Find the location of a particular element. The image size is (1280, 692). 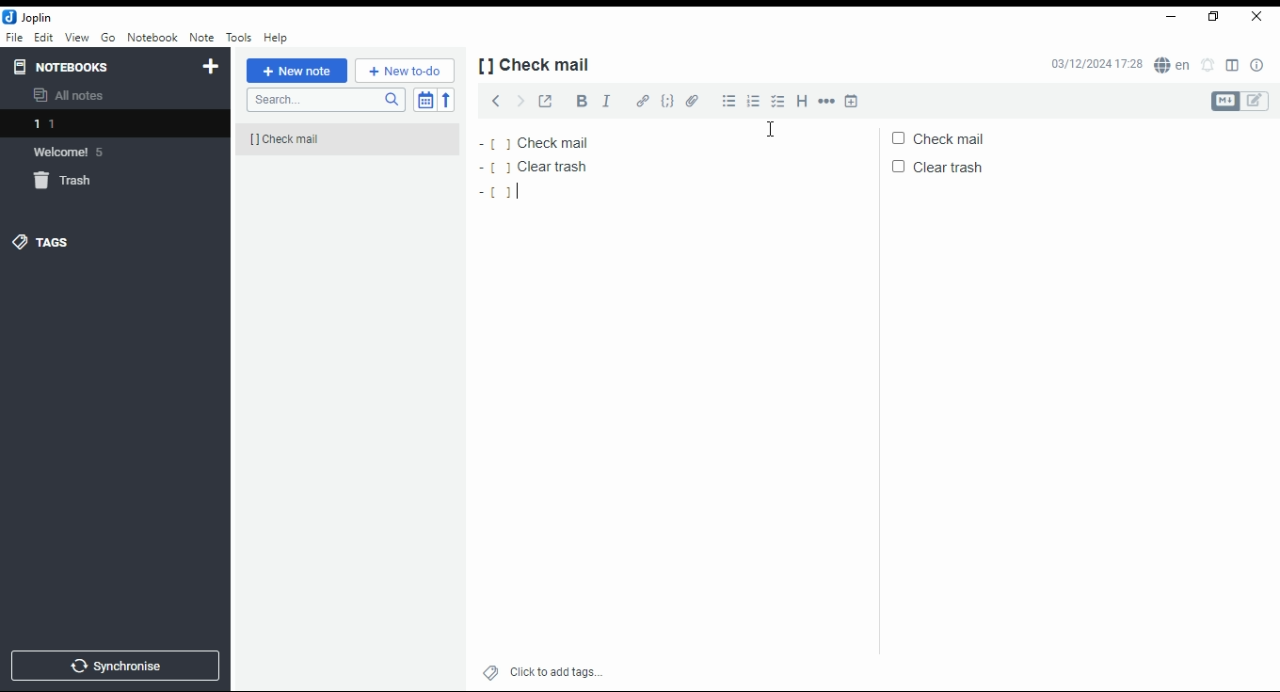

insert time is located at coordinates (852, 101).